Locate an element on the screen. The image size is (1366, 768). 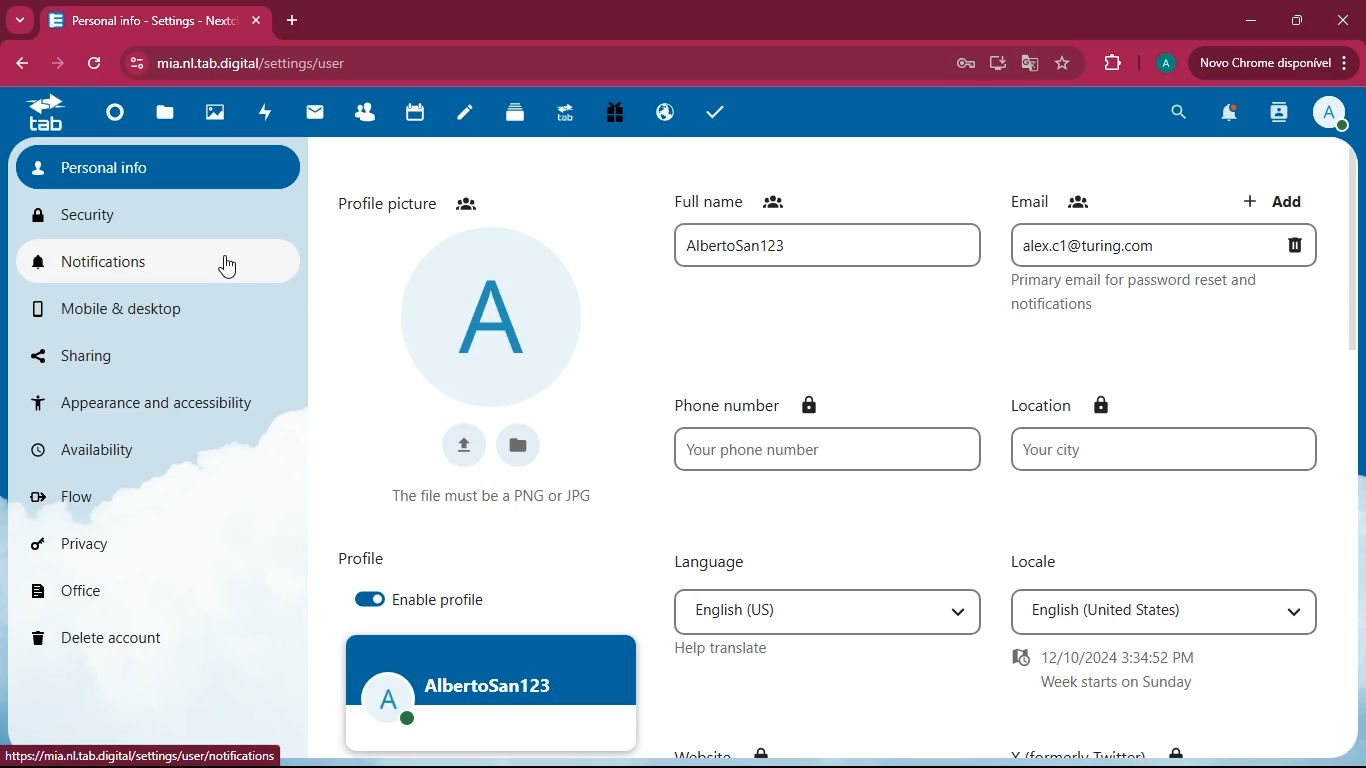
delete is located at coordinates (141, 635).